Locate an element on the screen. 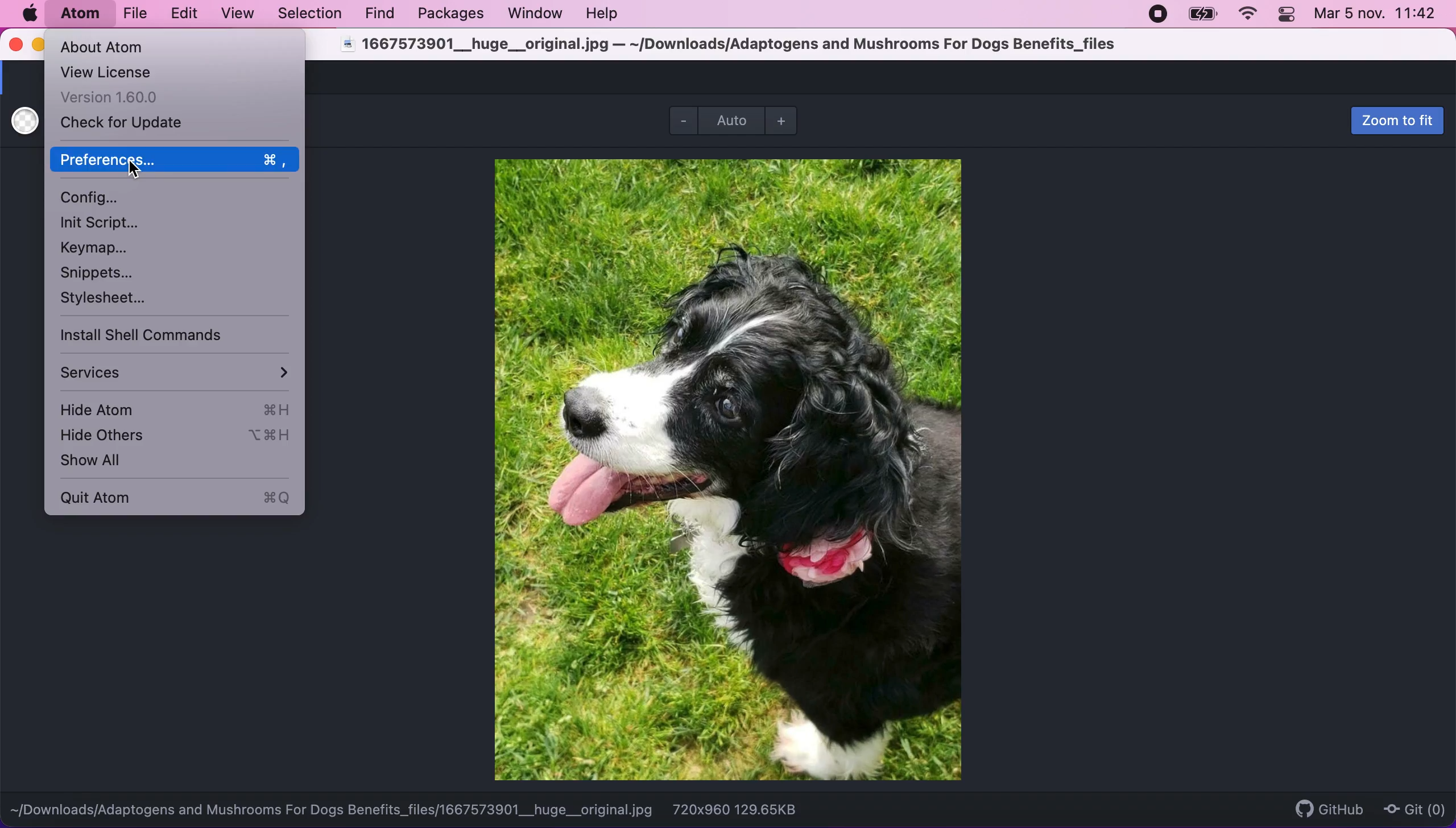 This screenshot has height=828, width=1456. file is located at coordinates (134, 15).